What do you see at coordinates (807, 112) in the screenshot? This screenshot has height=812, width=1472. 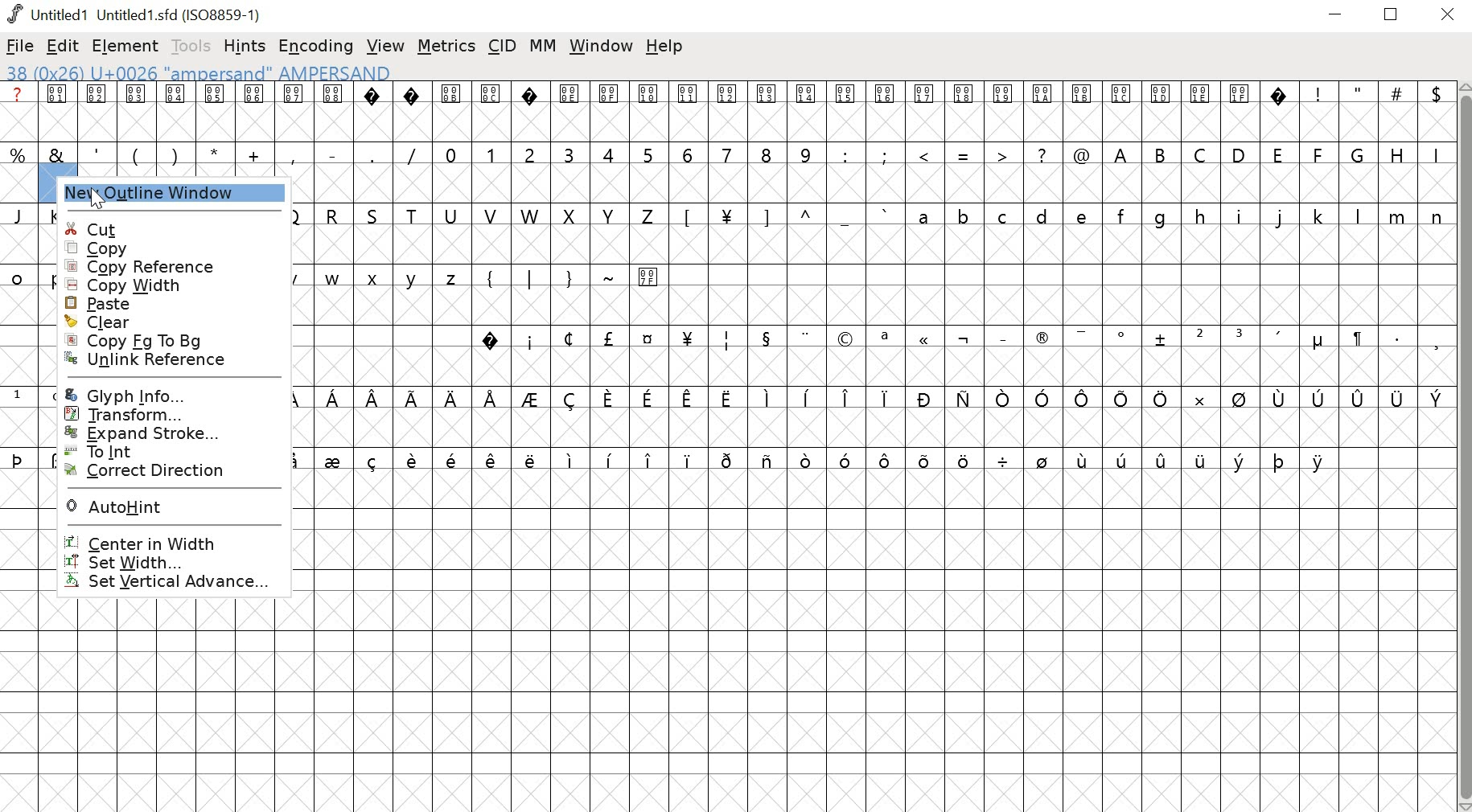 I see `0014` at bounding box center [807, 112].